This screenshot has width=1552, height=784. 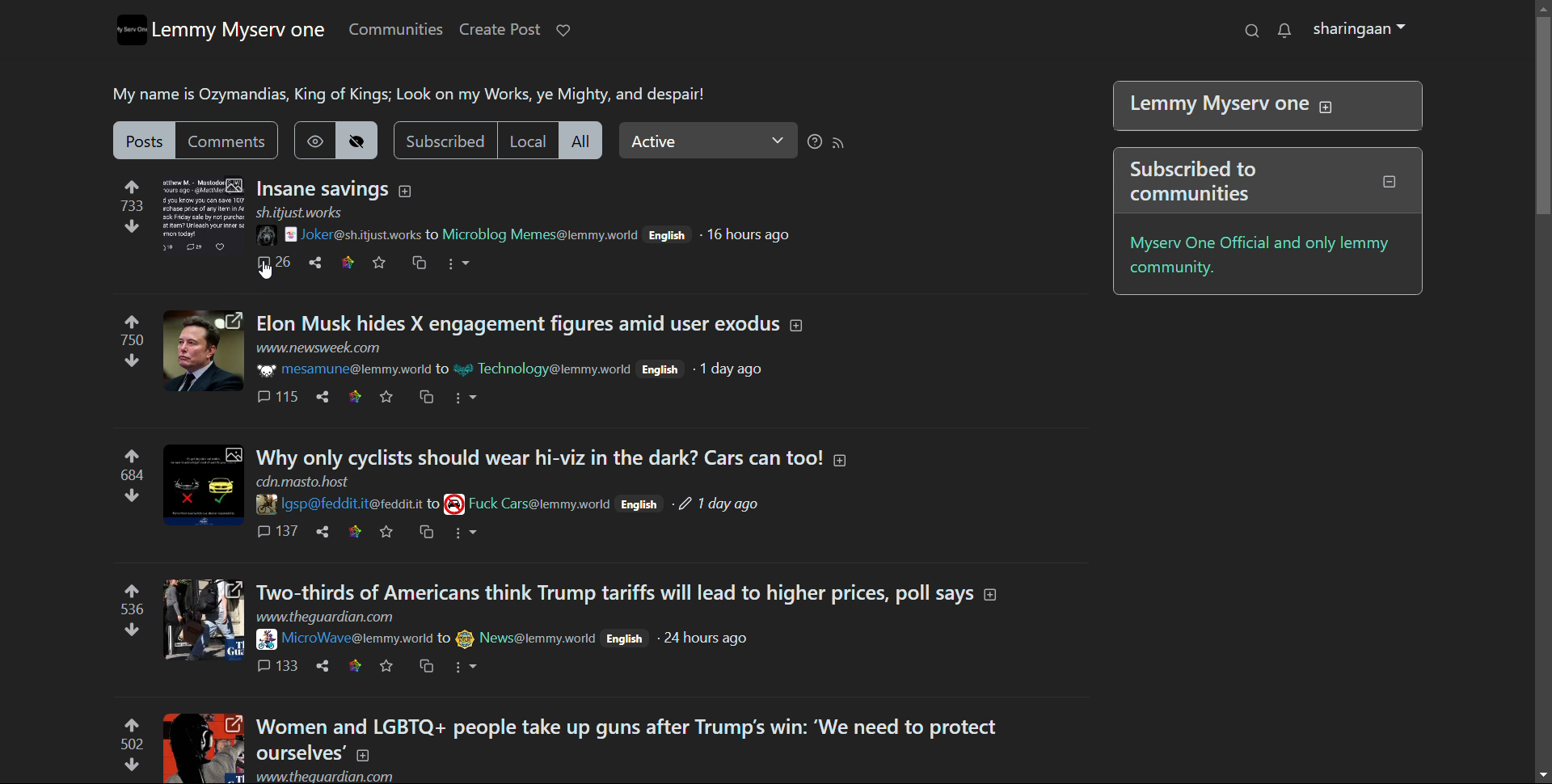 What do you see at coordinates (394, 30) in the screenshot?
I see `communities` at bounding box center [394, 30].